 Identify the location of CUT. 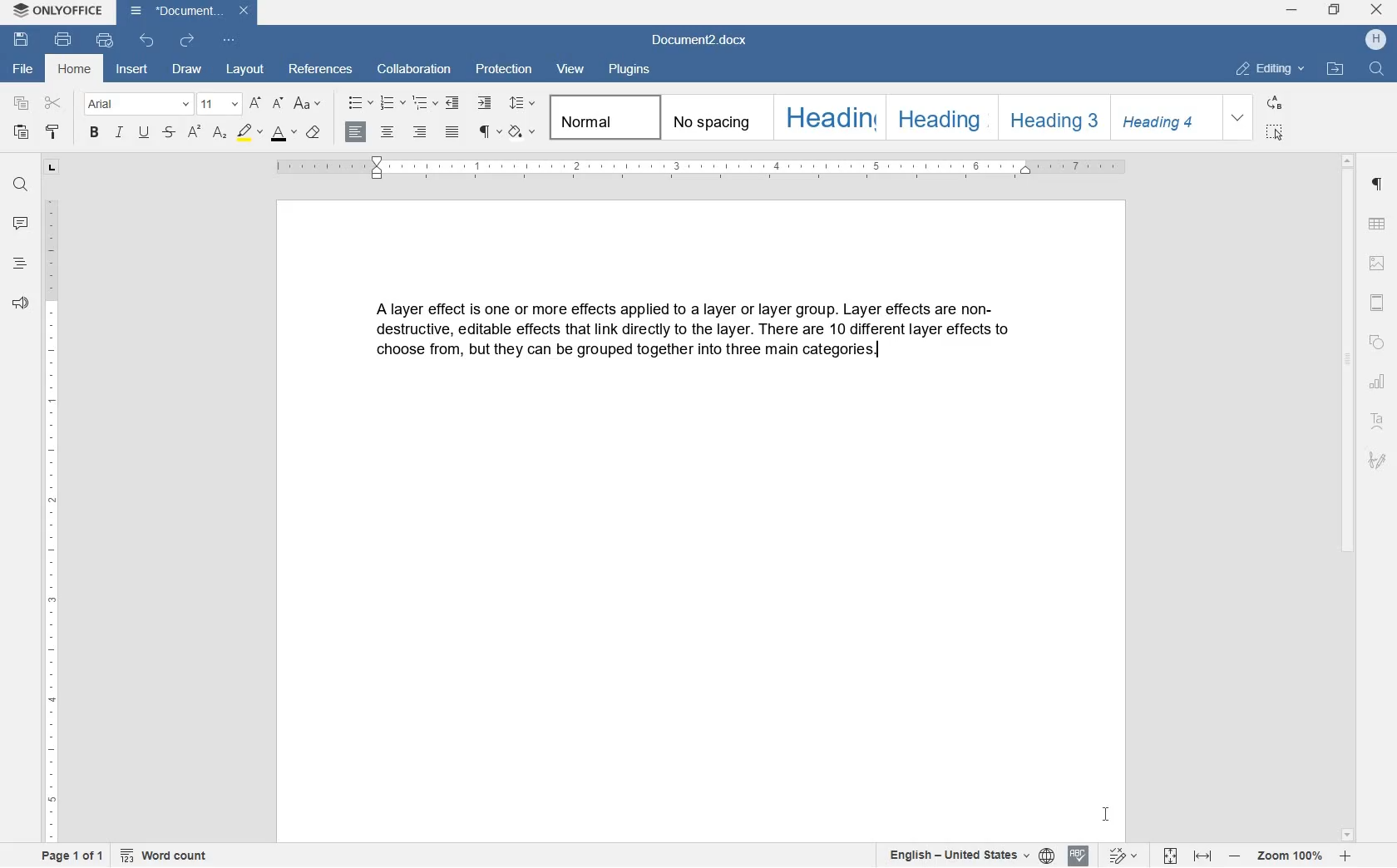
(54, 104).